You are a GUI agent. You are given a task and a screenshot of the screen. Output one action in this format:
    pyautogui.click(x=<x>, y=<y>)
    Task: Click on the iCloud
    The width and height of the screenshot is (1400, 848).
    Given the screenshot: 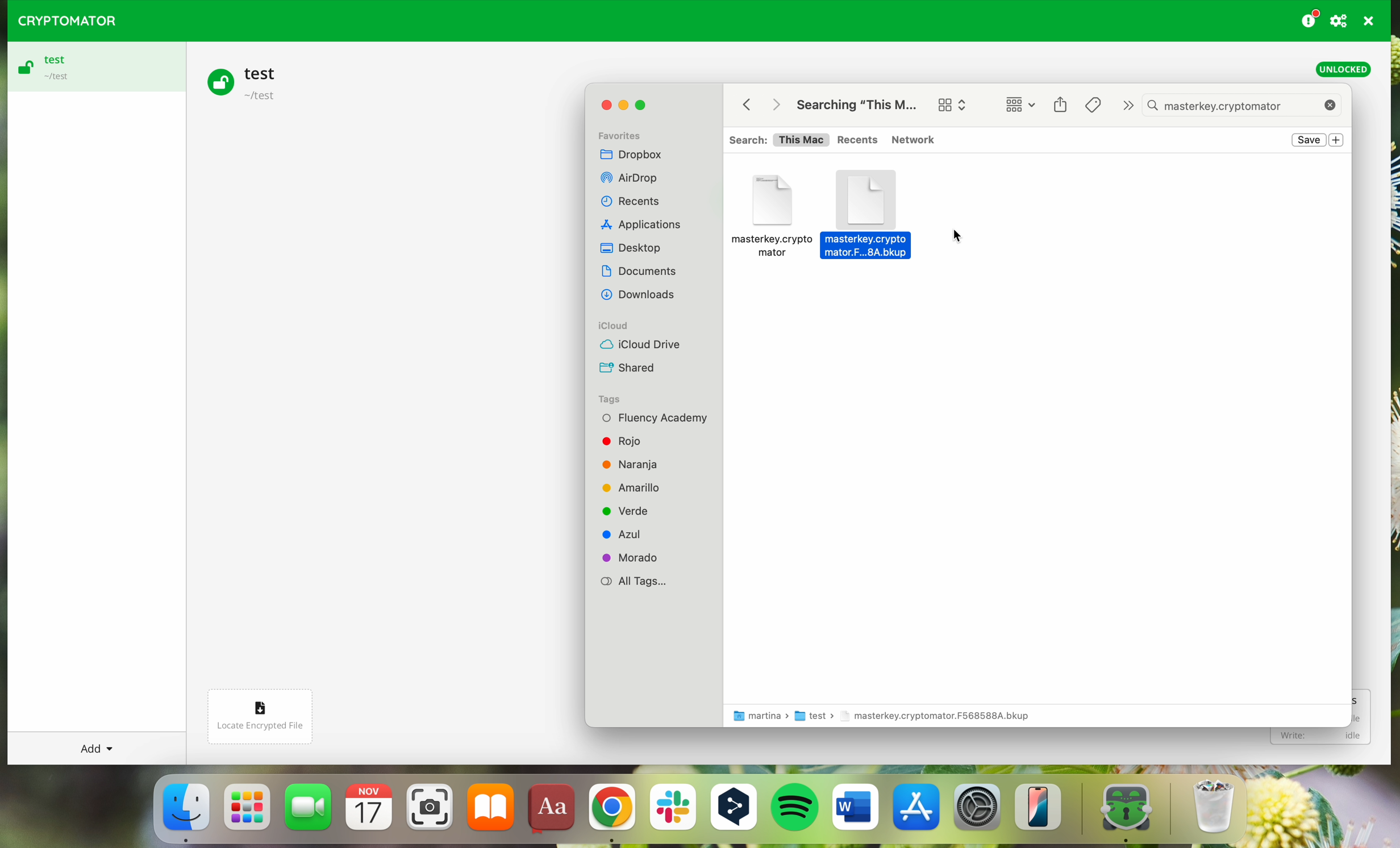 What is the action you would take?
    pyautogui.click(x=619, y=325)
    